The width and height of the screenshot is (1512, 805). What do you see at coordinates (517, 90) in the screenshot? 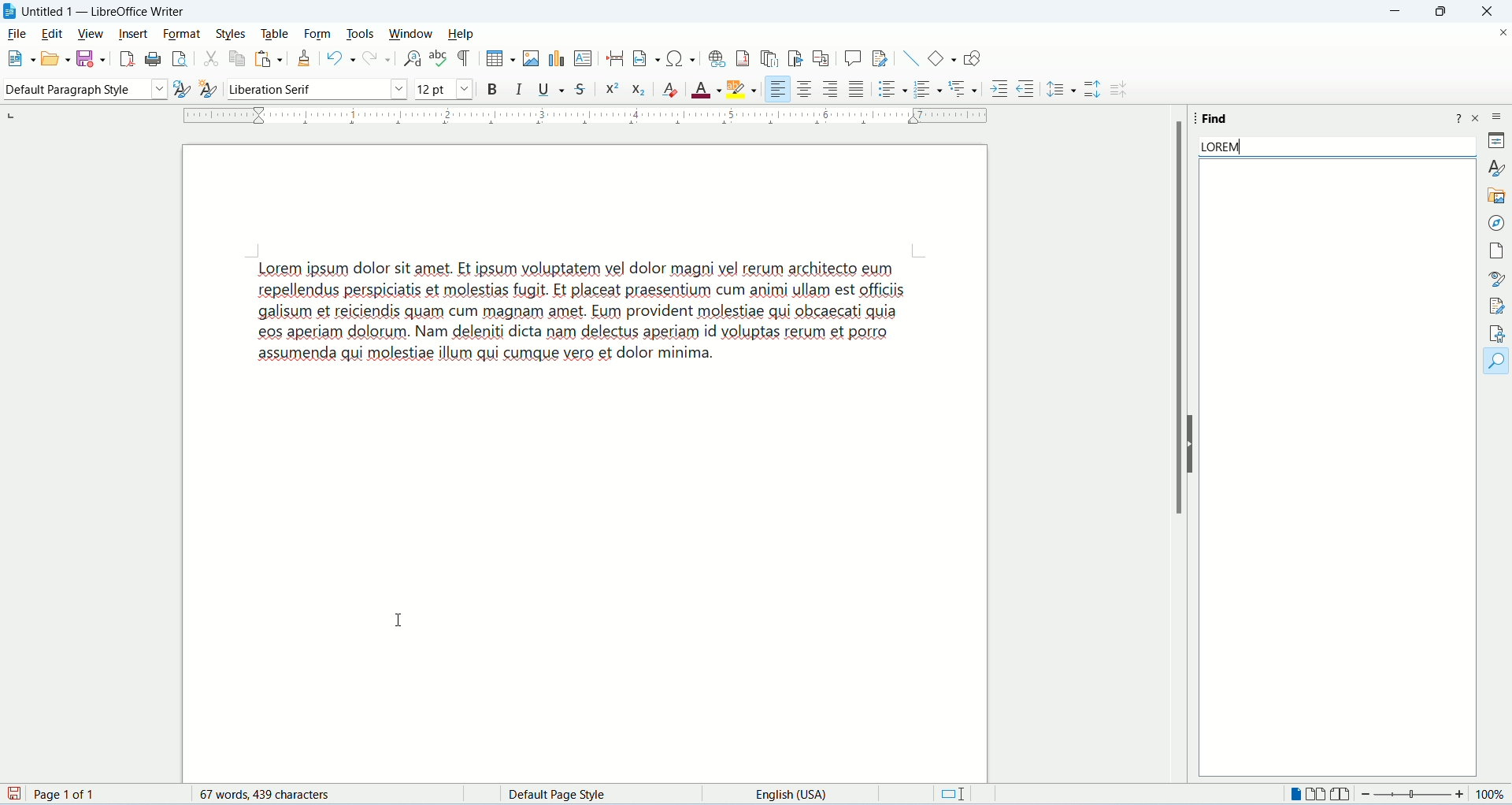
I see `italics` at bounding box center [517, 90].